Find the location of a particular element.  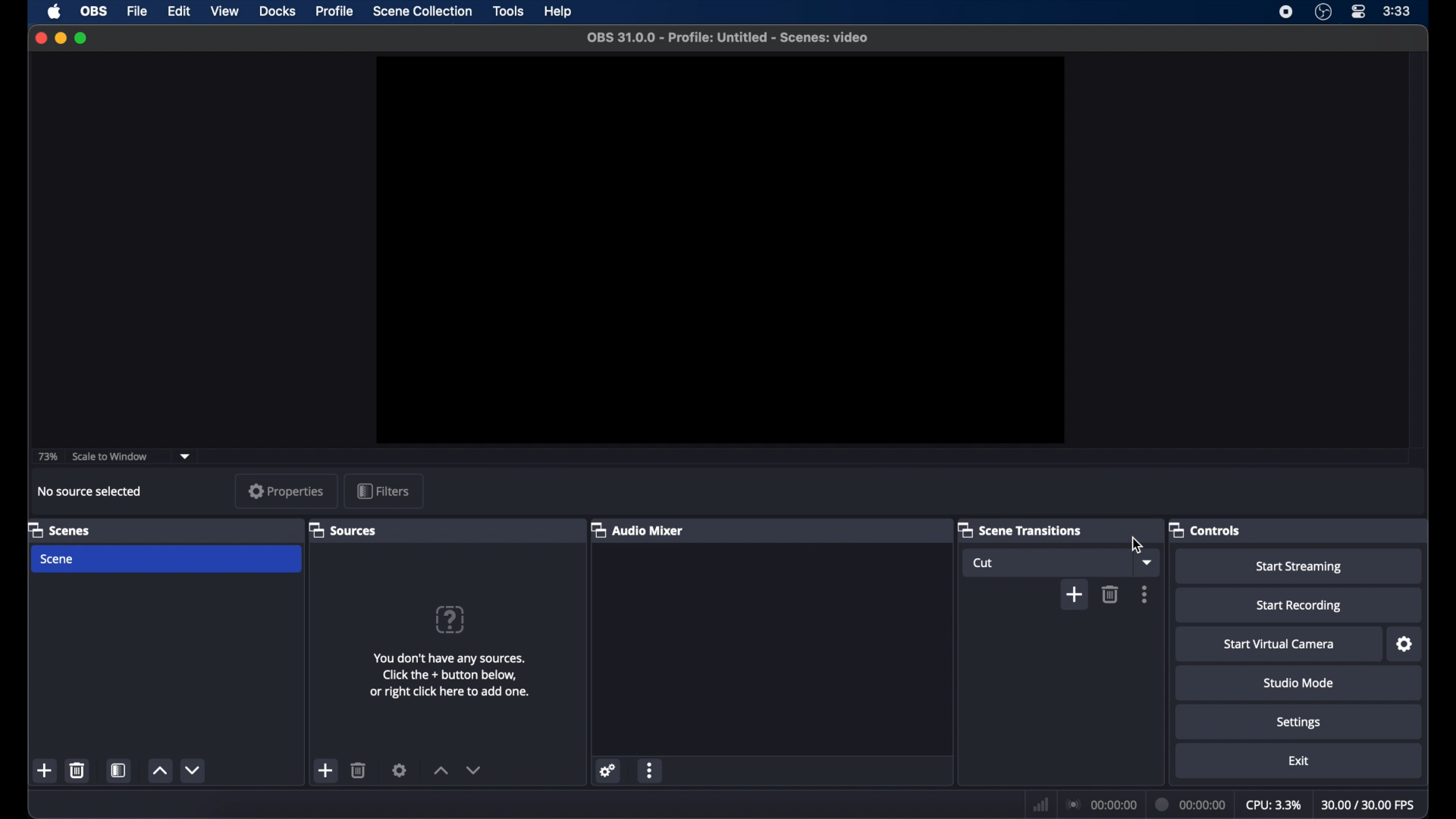

start virtual camera is located at coordinates (1282, 645).